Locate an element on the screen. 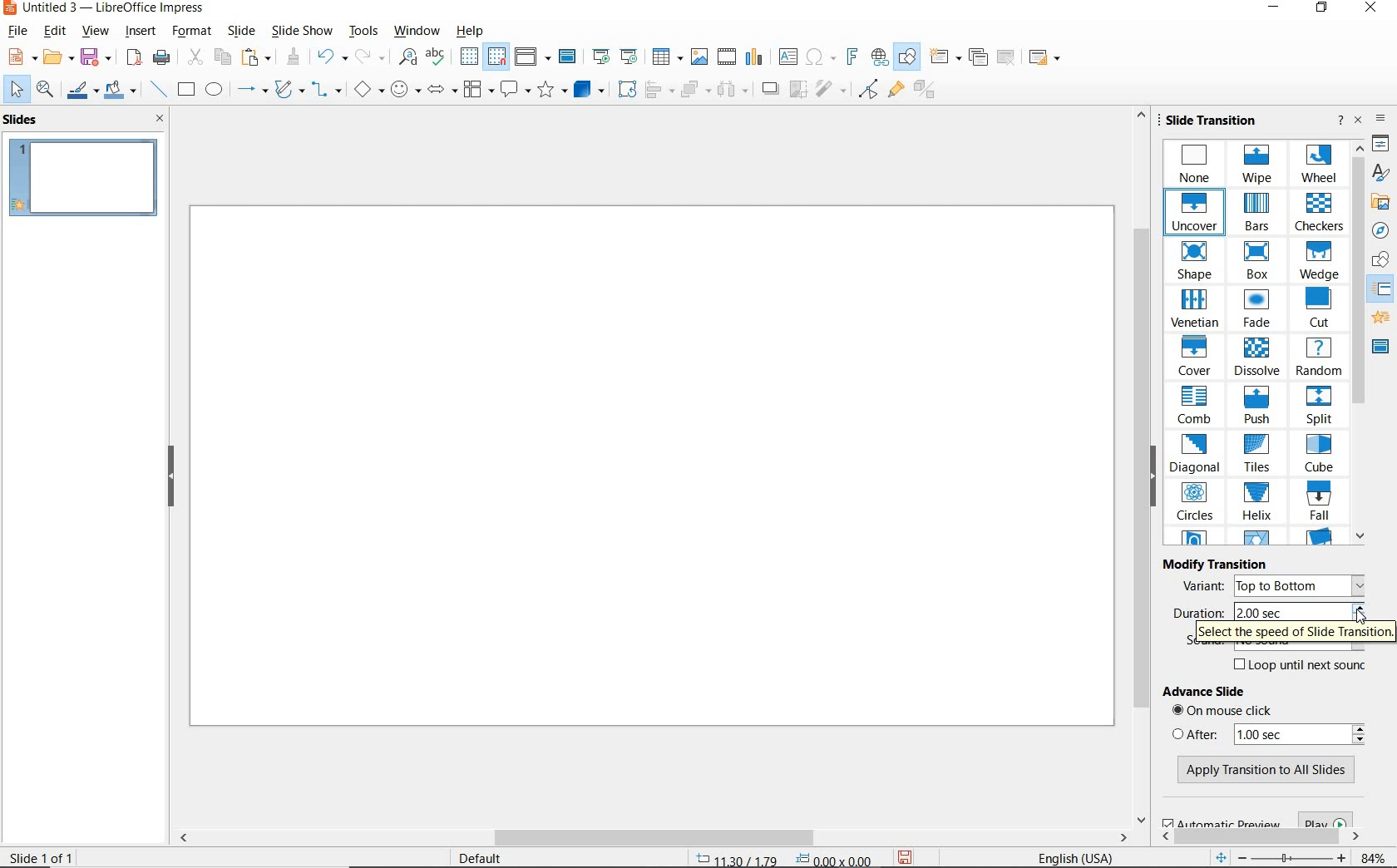  INSERT IMAGE is located at coordinates (701, 57).